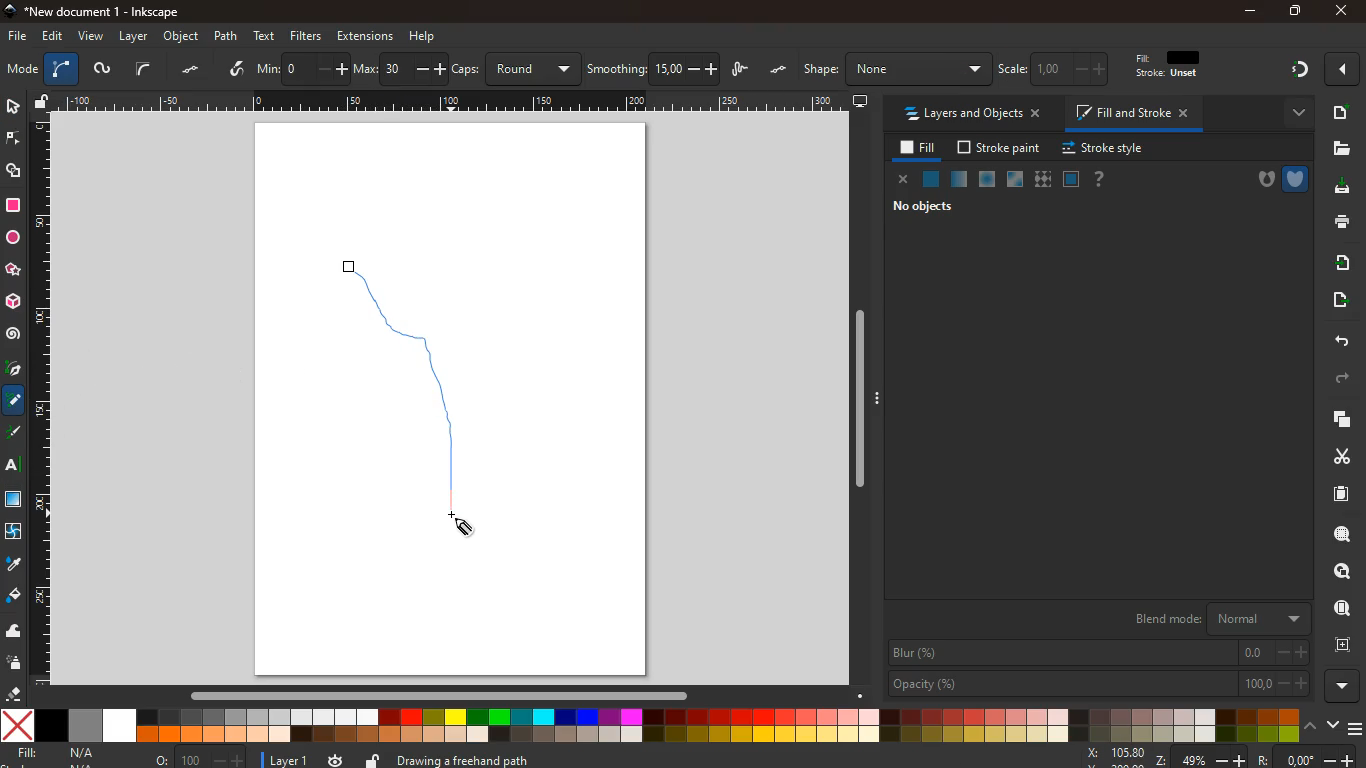  Describe the element at coordinates (1291, 113) in the screenshot. I see `more` at that location.